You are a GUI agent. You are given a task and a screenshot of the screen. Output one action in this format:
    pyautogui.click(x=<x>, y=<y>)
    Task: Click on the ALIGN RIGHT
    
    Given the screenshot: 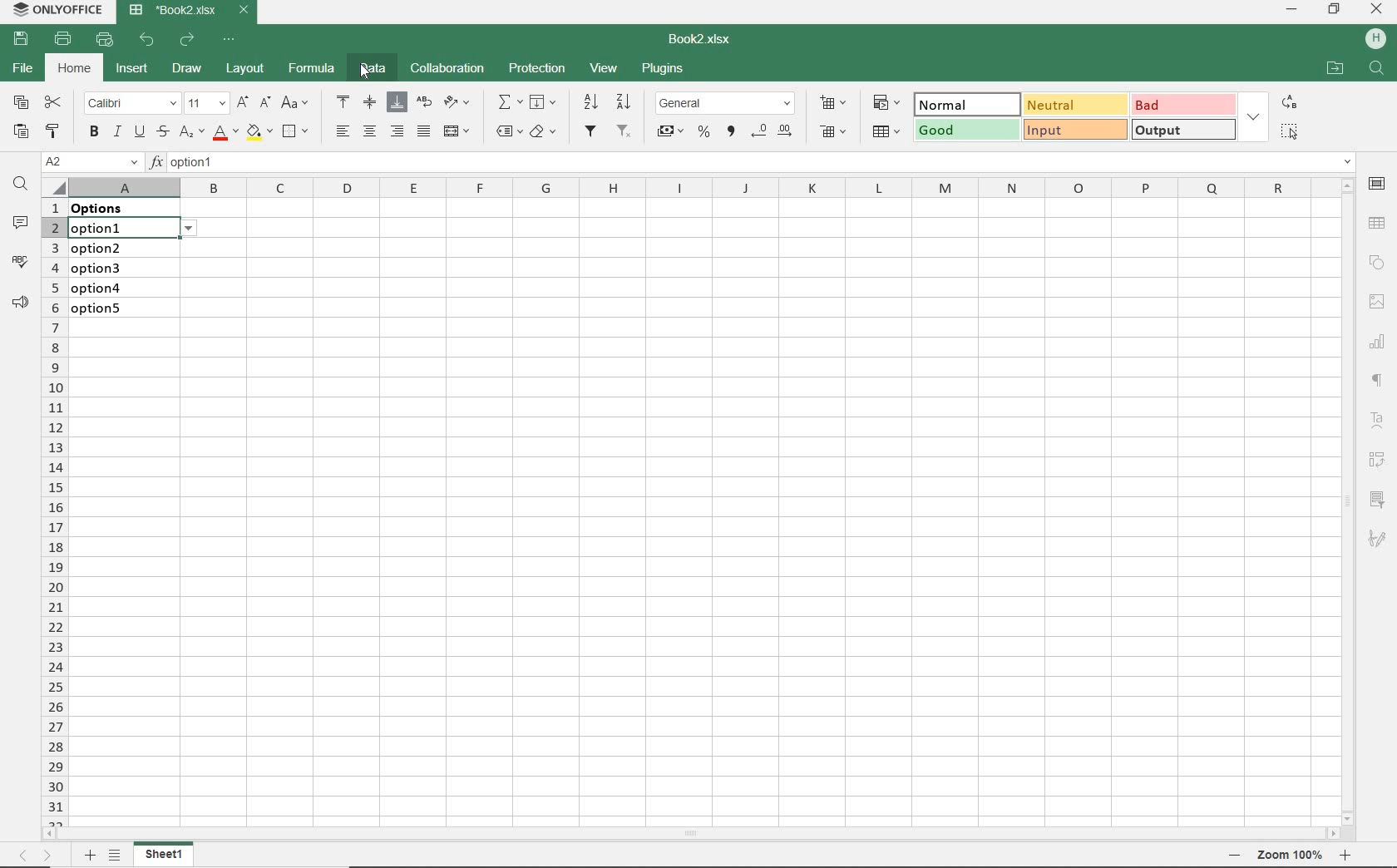 What is the action you would take?
    pyautogui.click(x=397, y=132)
    